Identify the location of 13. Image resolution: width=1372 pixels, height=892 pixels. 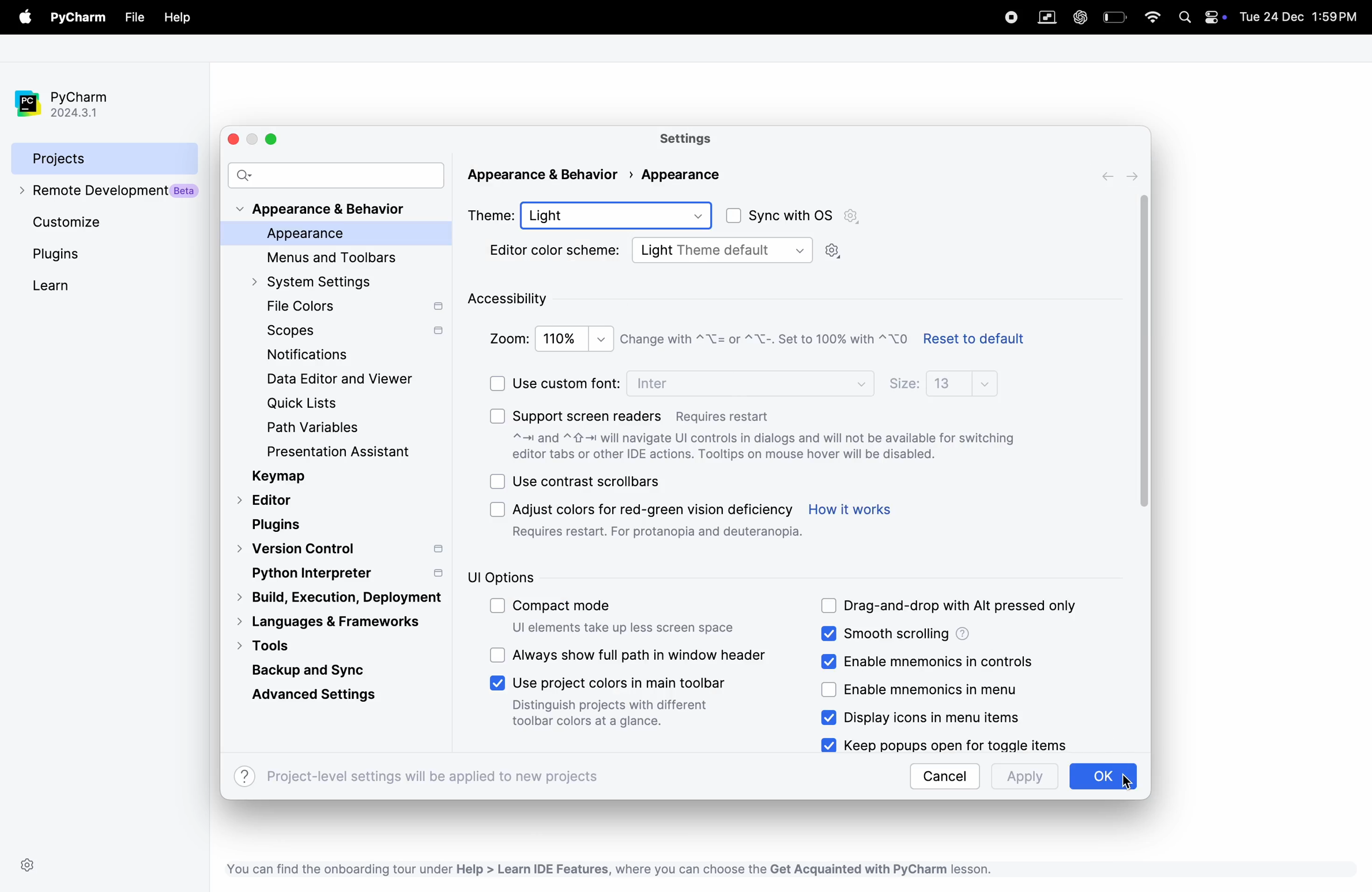
(968, 384).